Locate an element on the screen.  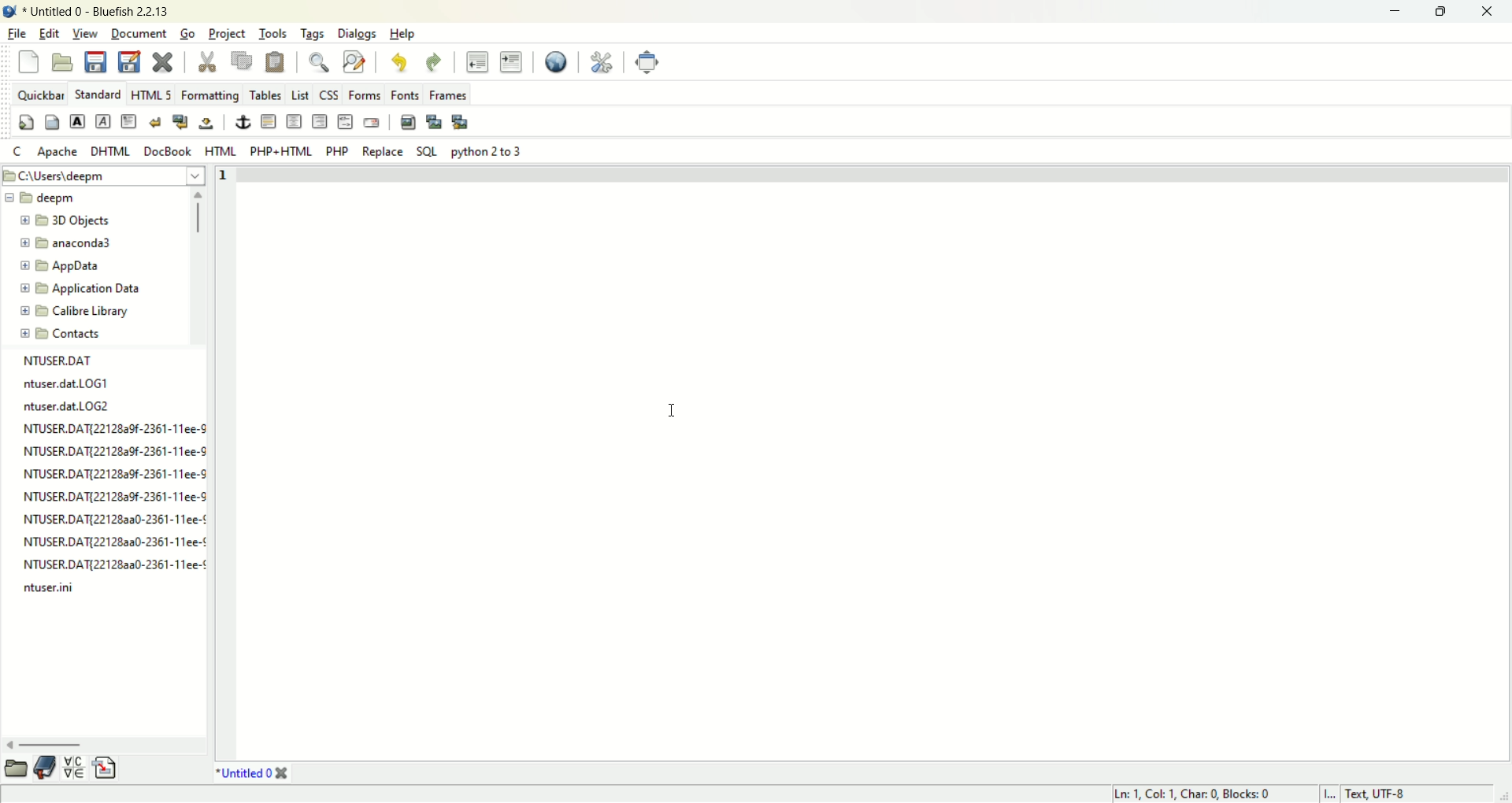
tables is located at coordinates (263, 95).